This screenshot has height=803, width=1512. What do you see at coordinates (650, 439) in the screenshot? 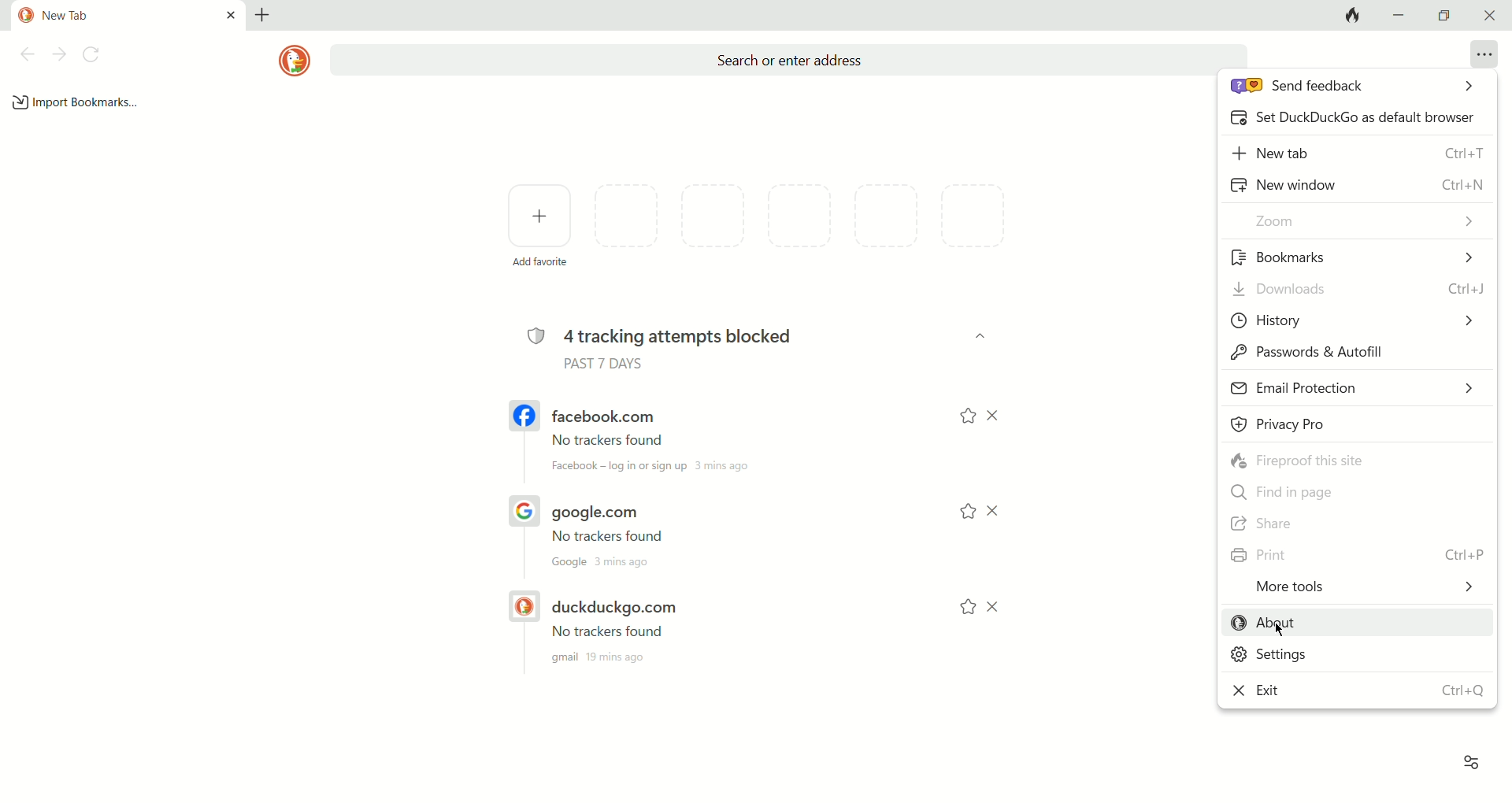
I see `FACEBOOK.com url` at bounding box center [650, 439].